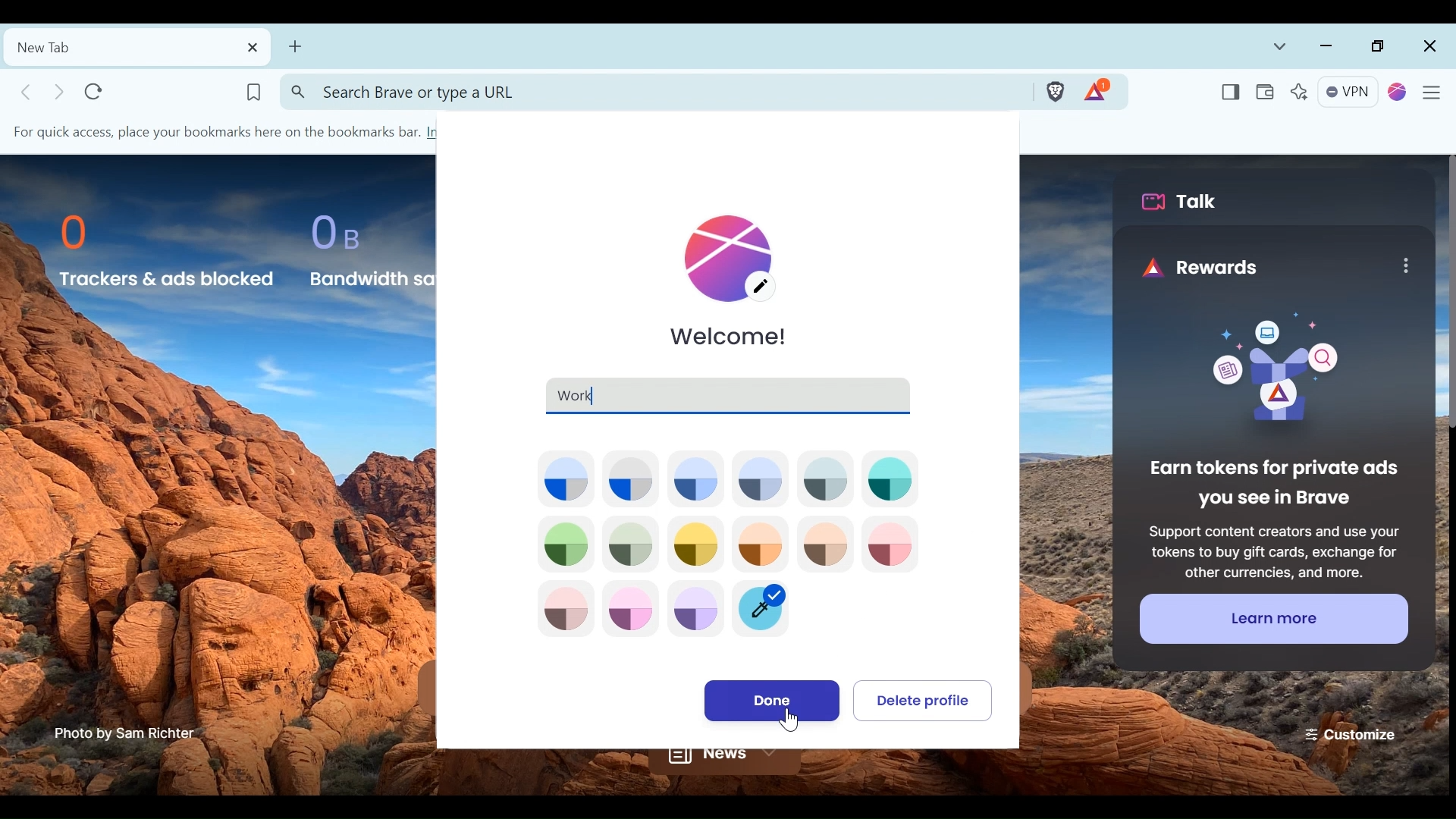 This screenshot has height=819, width=1456. What do you see at coordinates (915, 698) in the screenshot?
I see `Delete Profile` at bounding box center [915, 698].